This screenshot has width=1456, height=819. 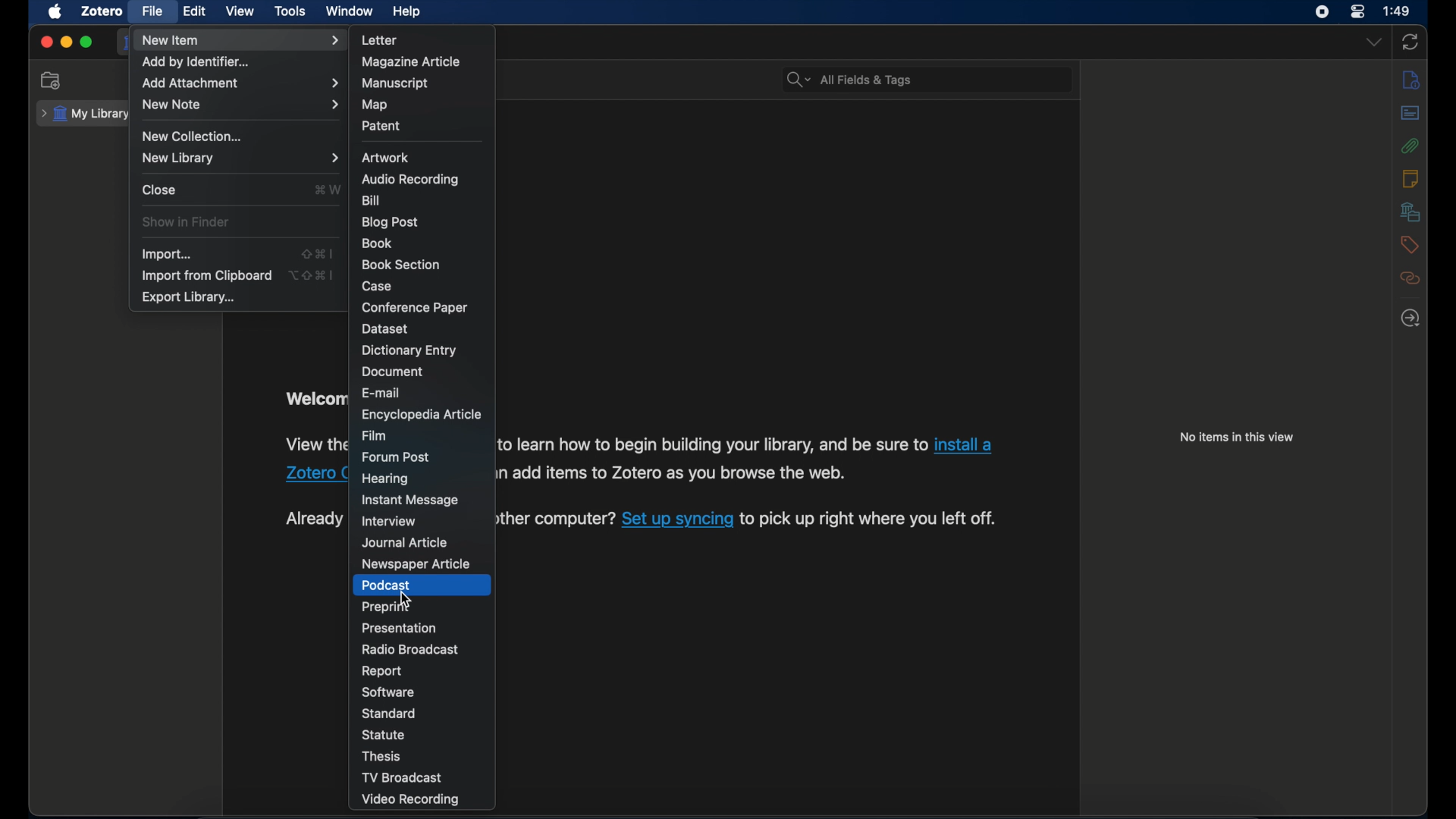 I want to click on show in finder, so click(x=188, y=222).